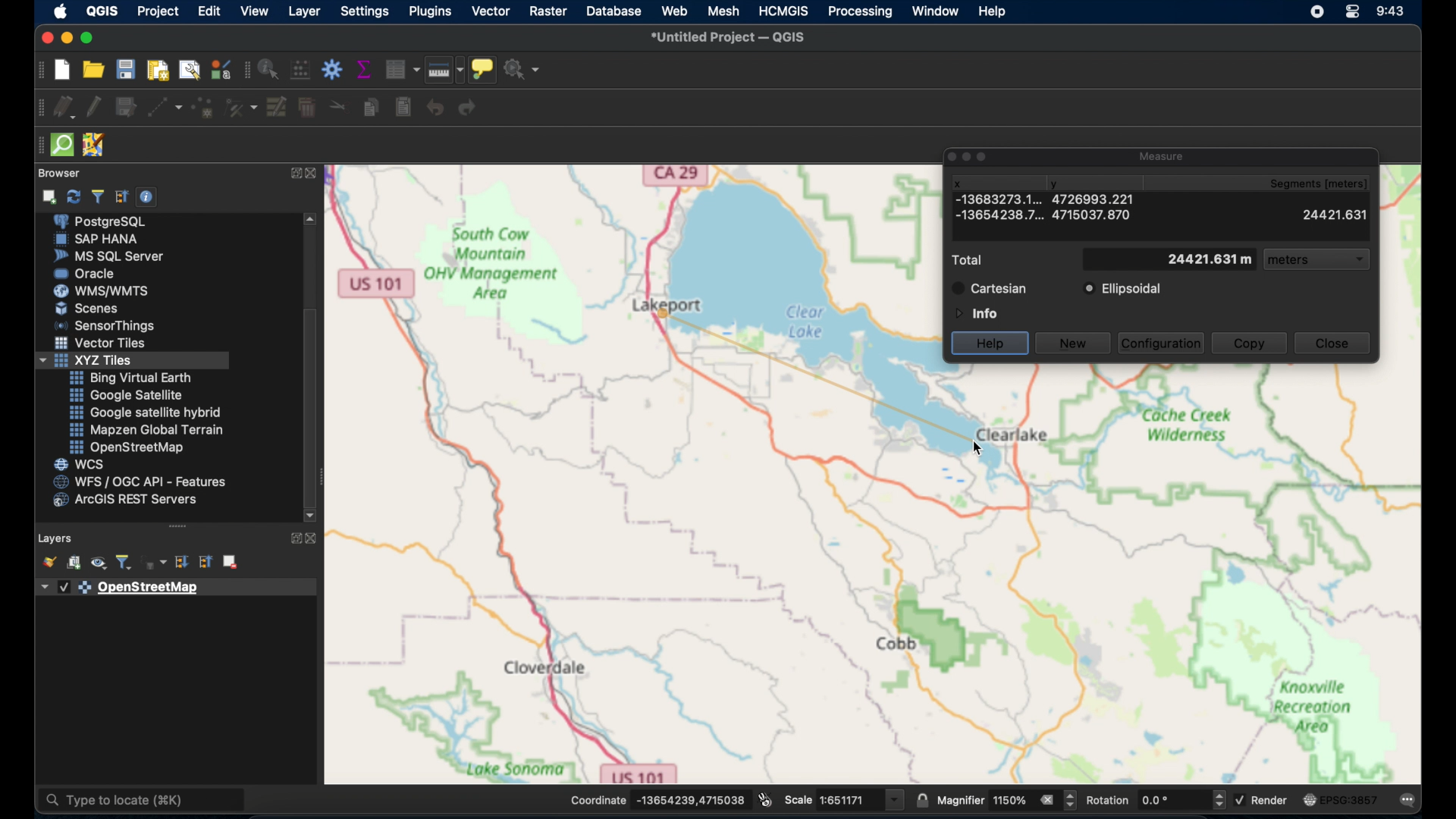 The height and width of the screenshot is (819, 1456). What do you see at coordinates (1008, 801) in the screenshot?
I see `magnifier` at bounding box center [1008, 801].